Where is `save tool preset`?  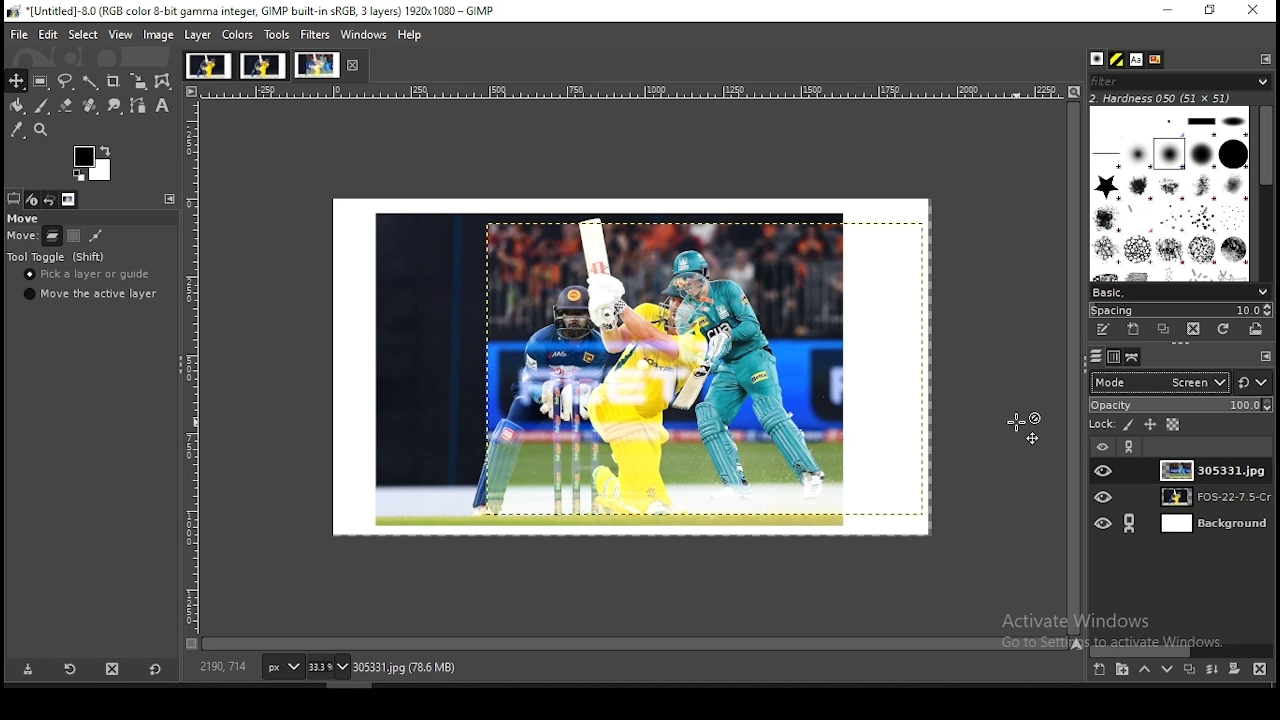
save tool preset is located at coordinates (25, 670).